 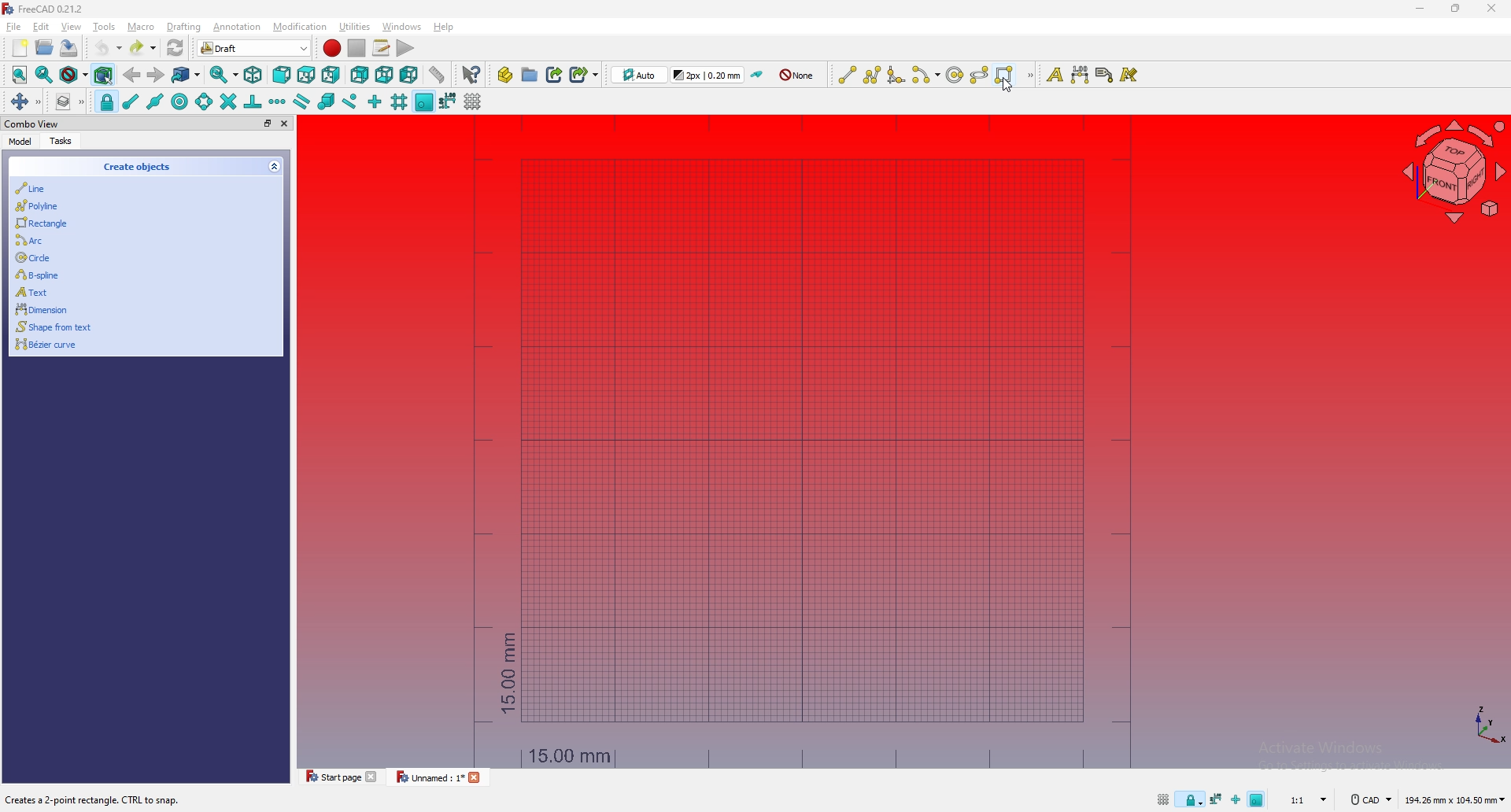 I want to click on pop out, so click(x=267, y=123).